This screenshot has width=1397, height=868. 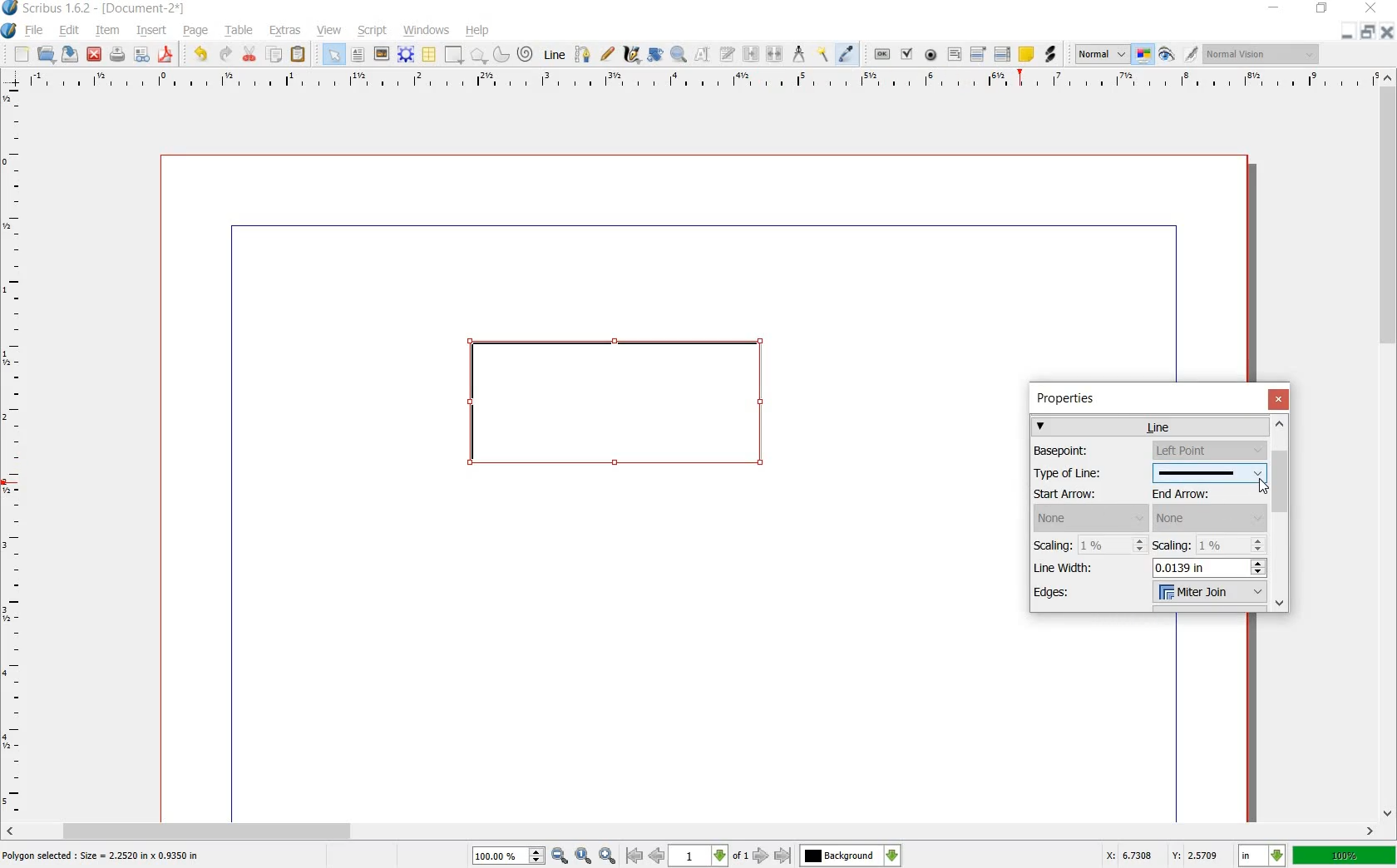 What do you see at coordinates (195, 32) in the screenshot?
I see `PAGE` at bounding box center [195, 32].